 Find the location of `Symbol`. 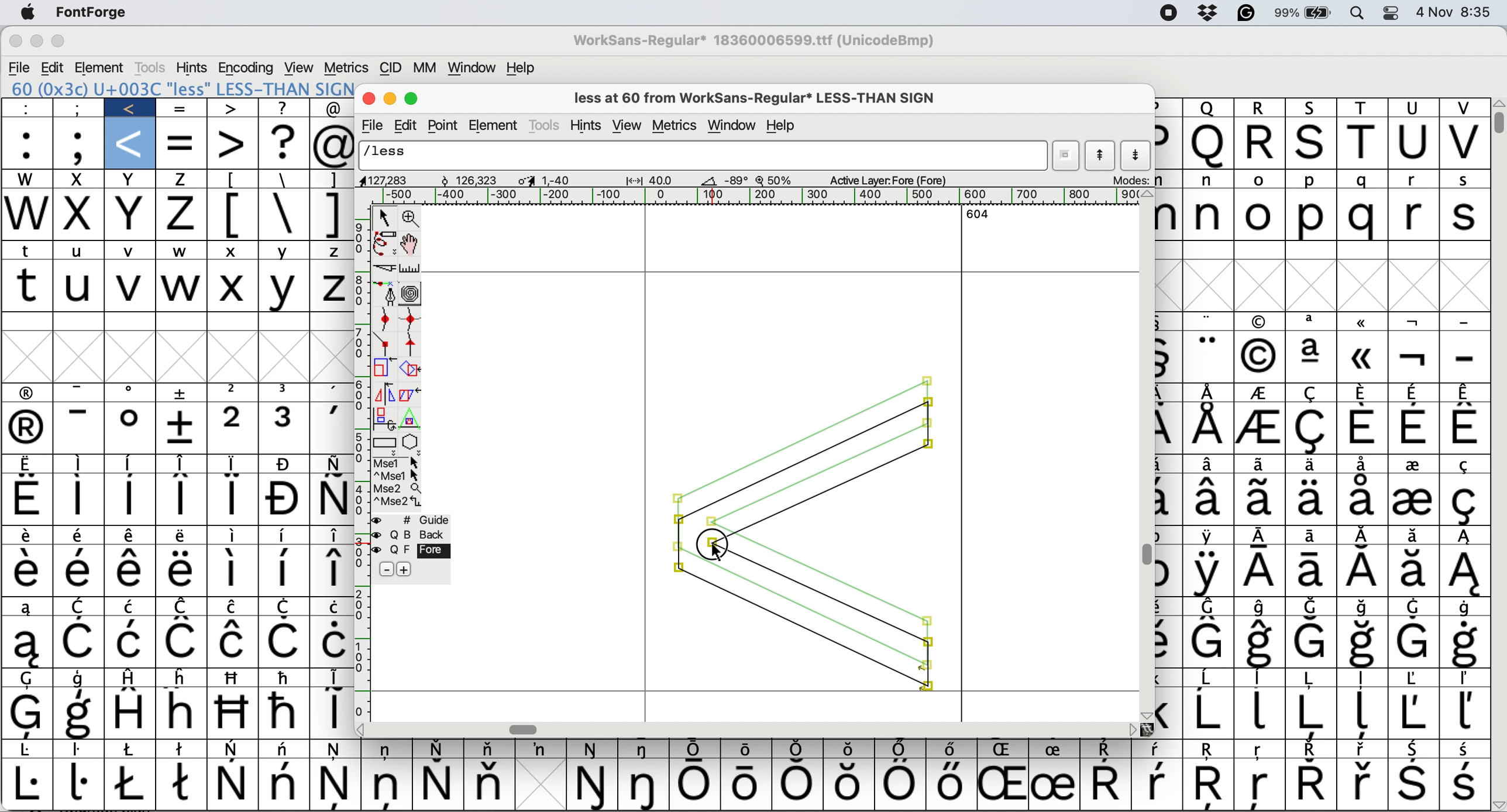

Symbol is located at coordinates (1209, 500).